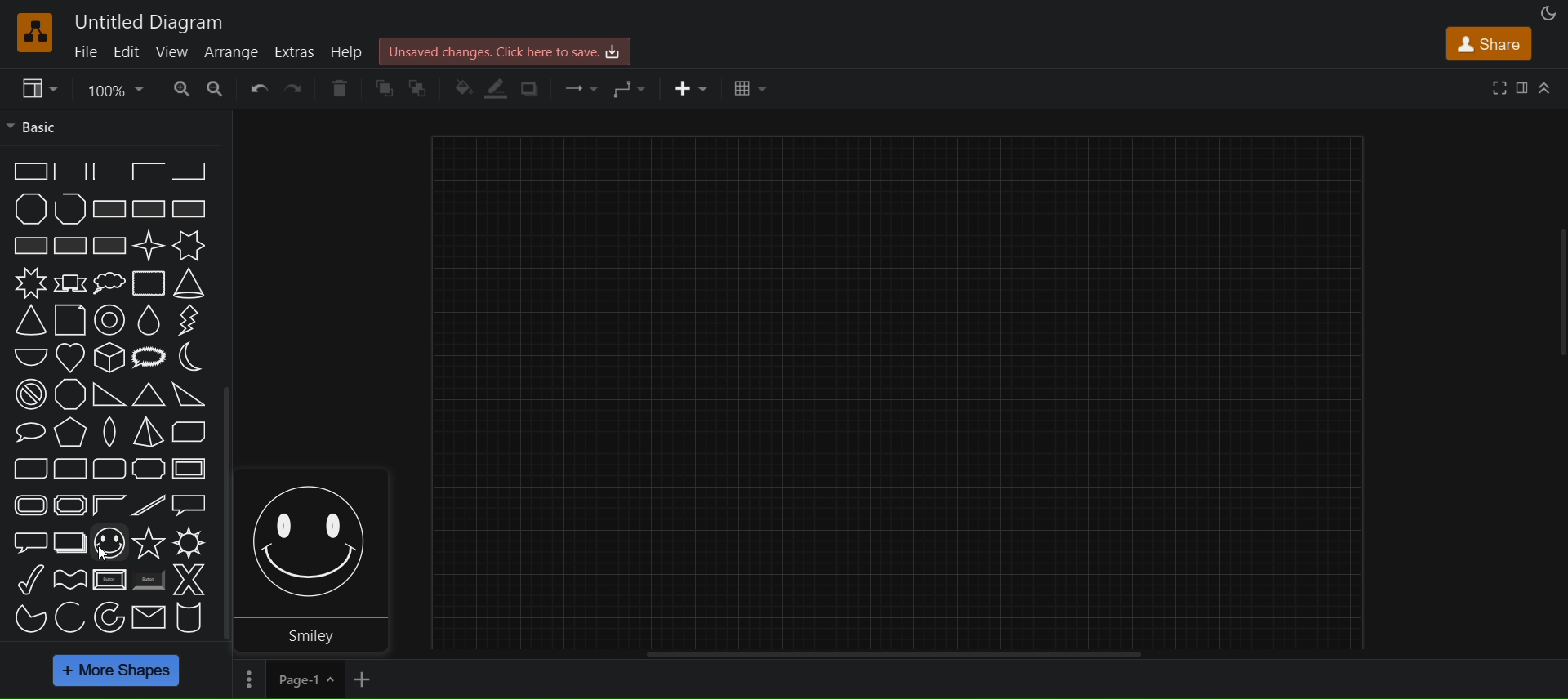  What do you see at coordinates (336, 86) in the screenshot?
I see `delete` at bounding box center [336, 86].